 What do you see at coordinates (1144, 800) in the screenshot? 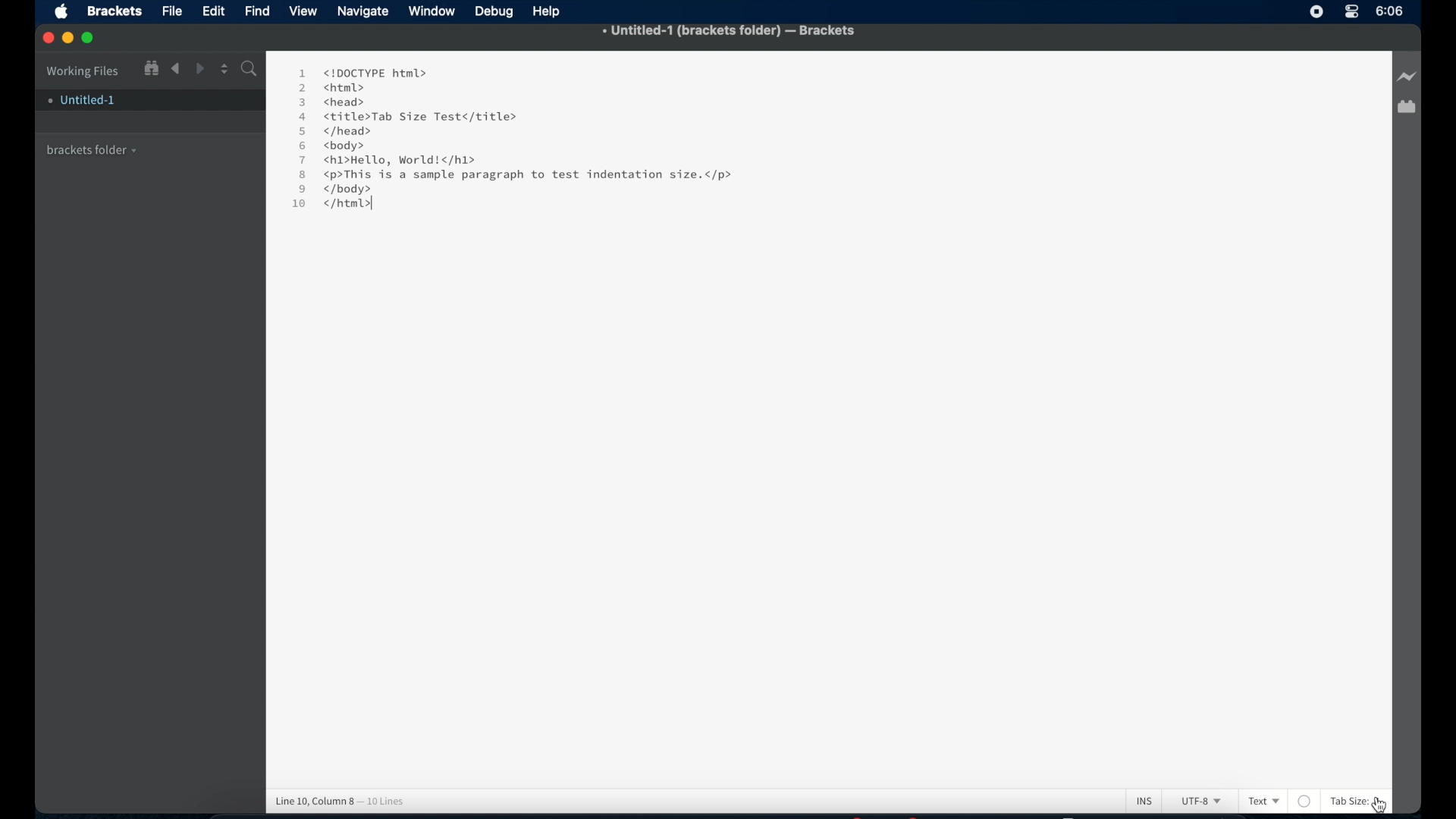
I see `INS` at bounding box center [1144, 800].